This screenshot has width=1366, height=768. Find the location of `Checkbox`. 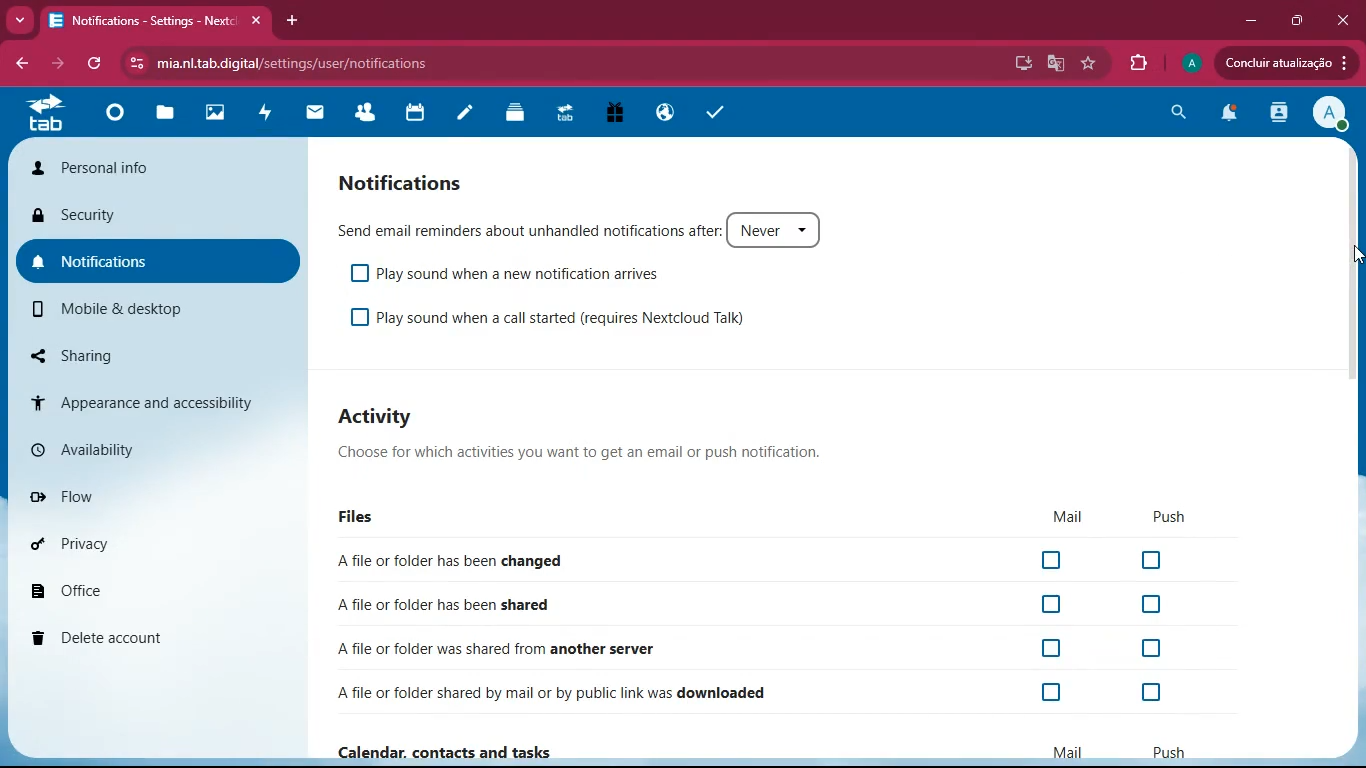

Checkbox is located at coordinates (1143, 649).